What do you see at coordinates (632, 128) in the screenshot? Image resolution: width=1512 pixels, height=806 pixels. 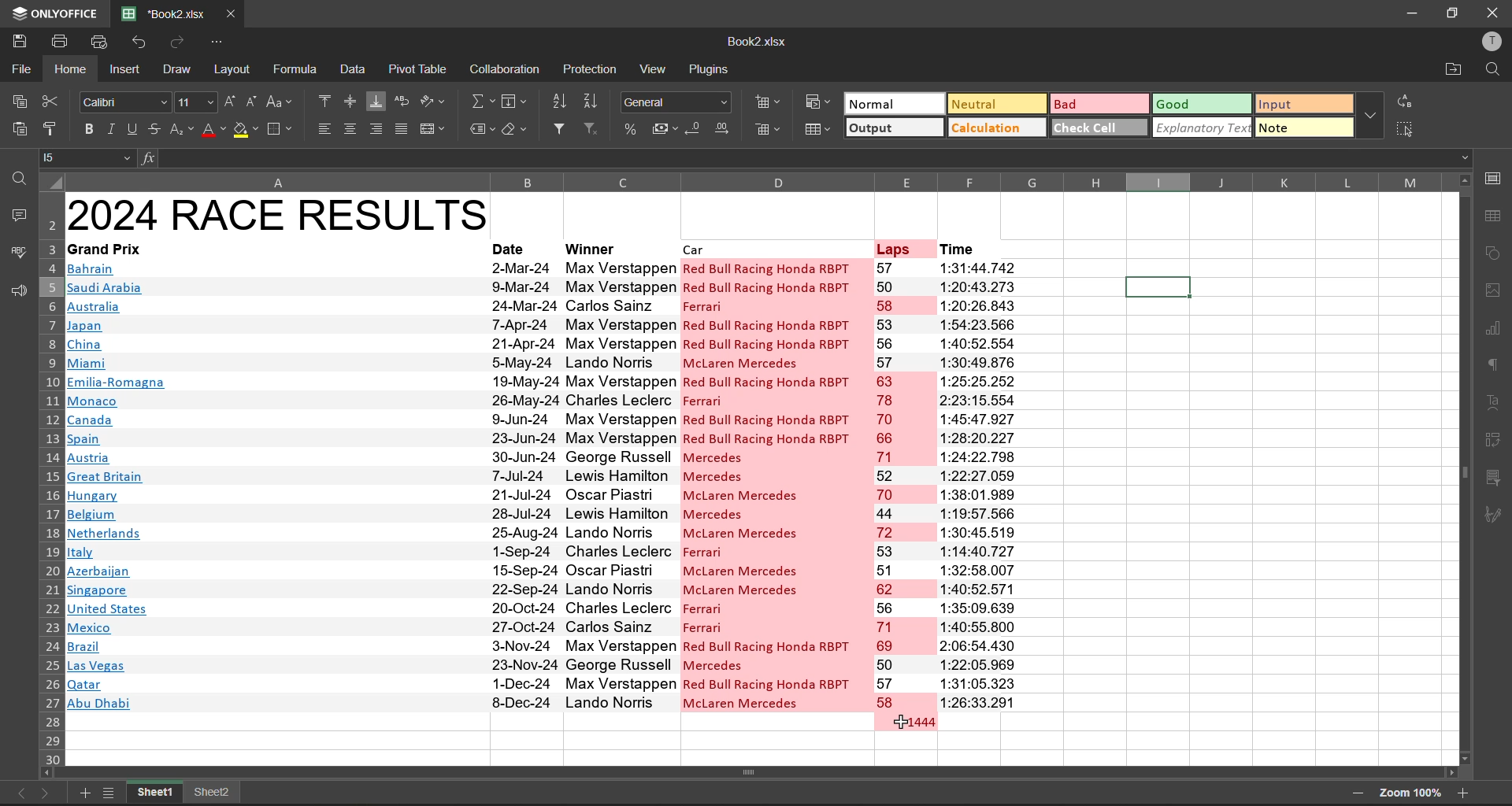 I see `percent` at bounding box center [632, 128].